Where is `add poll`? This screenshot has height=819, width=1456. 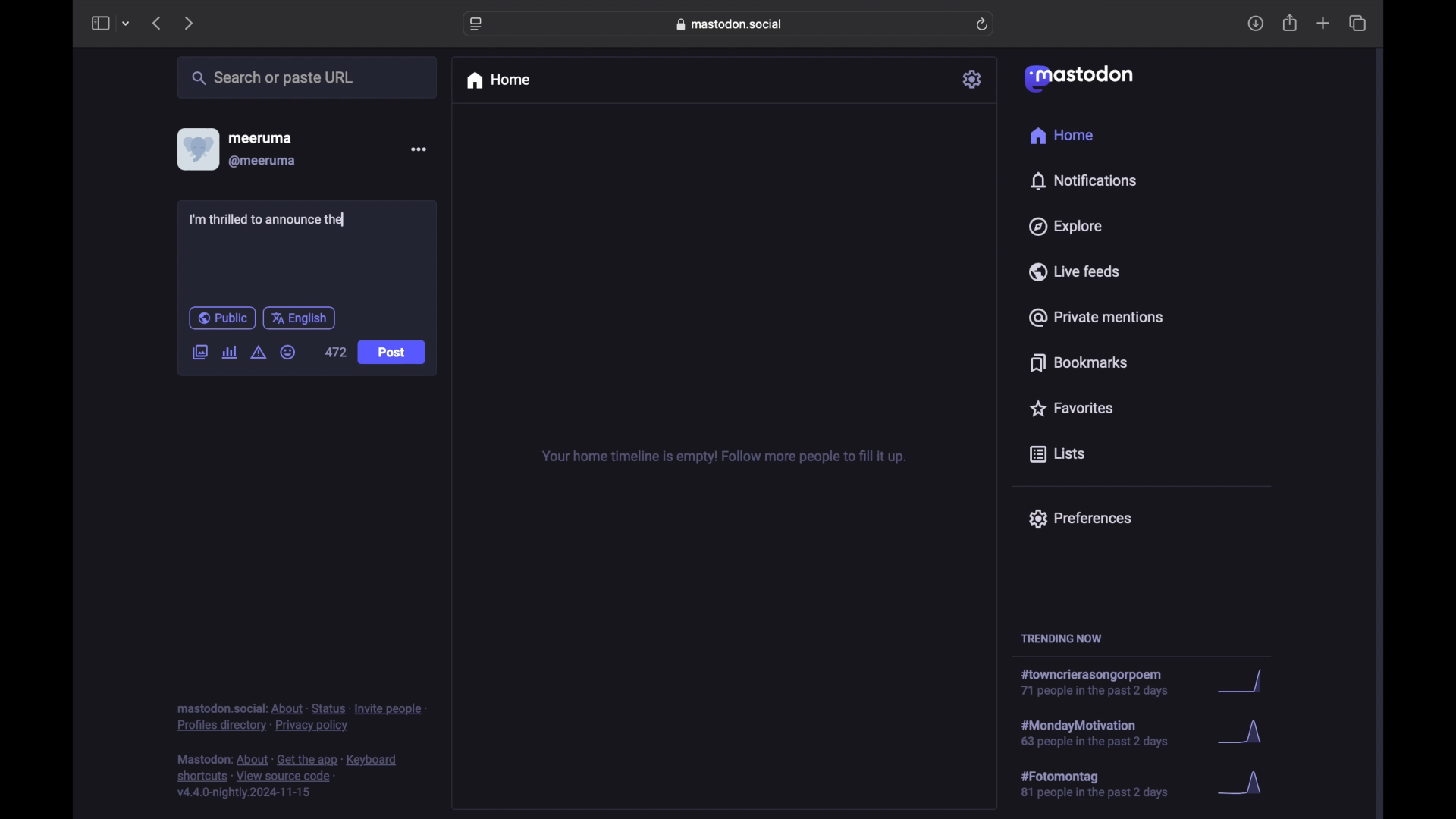
add poll is located at coordinates (231, 353).